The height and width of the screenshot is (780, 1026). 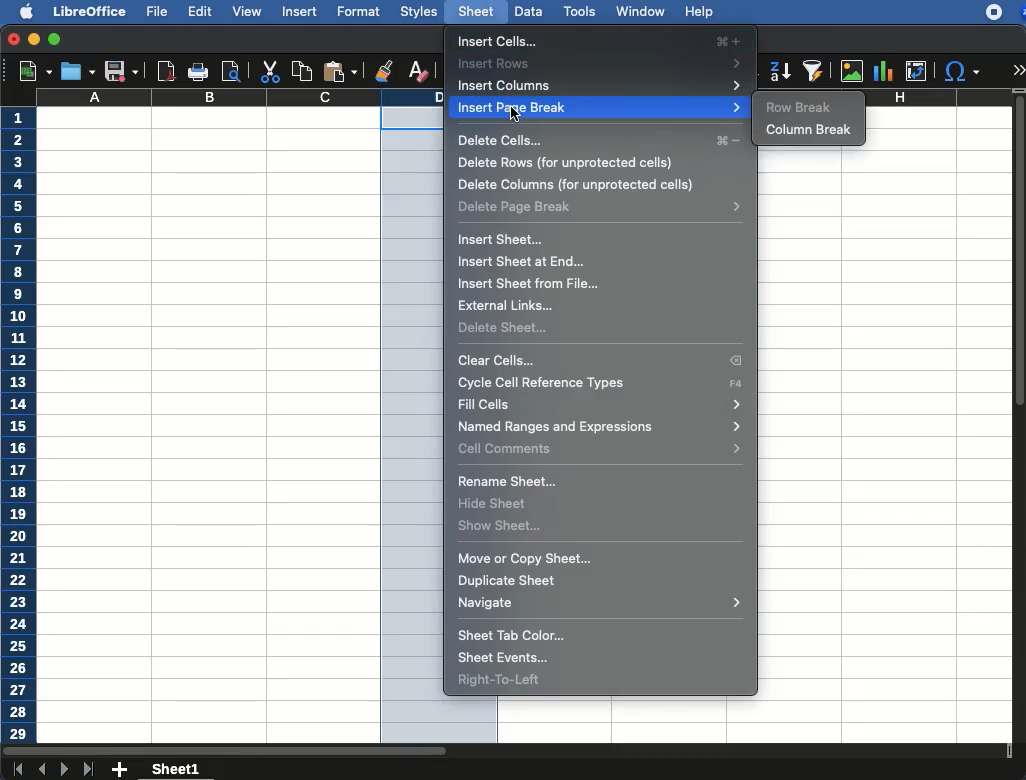 I want to click on delete sheet, so click(x=503, y=328).